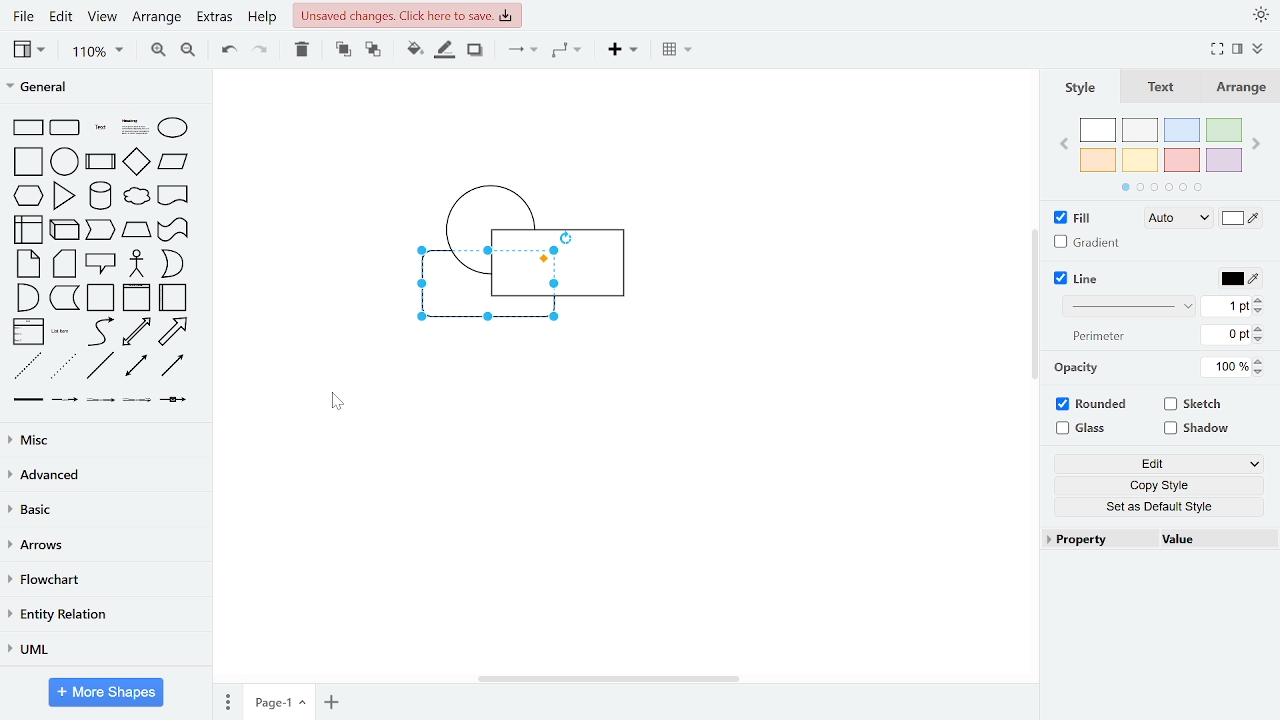 This screenshot has width=1280, height=720. Describe the element at coordinates (174, 128) in the screenshot. I see `ellipse` at that location.